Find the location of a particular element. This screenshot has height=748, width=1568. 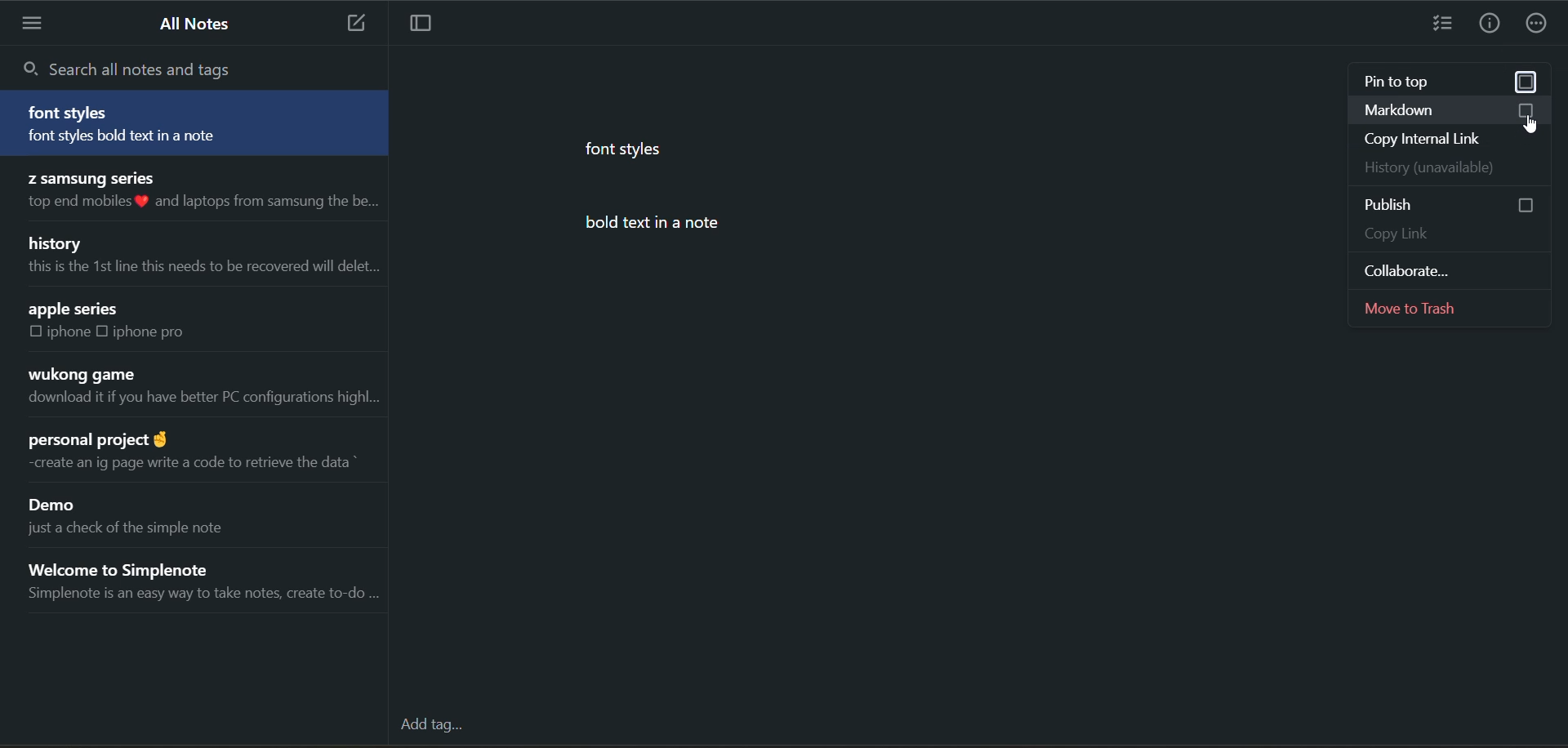

move to trash is located at coordinates (1453, 309).